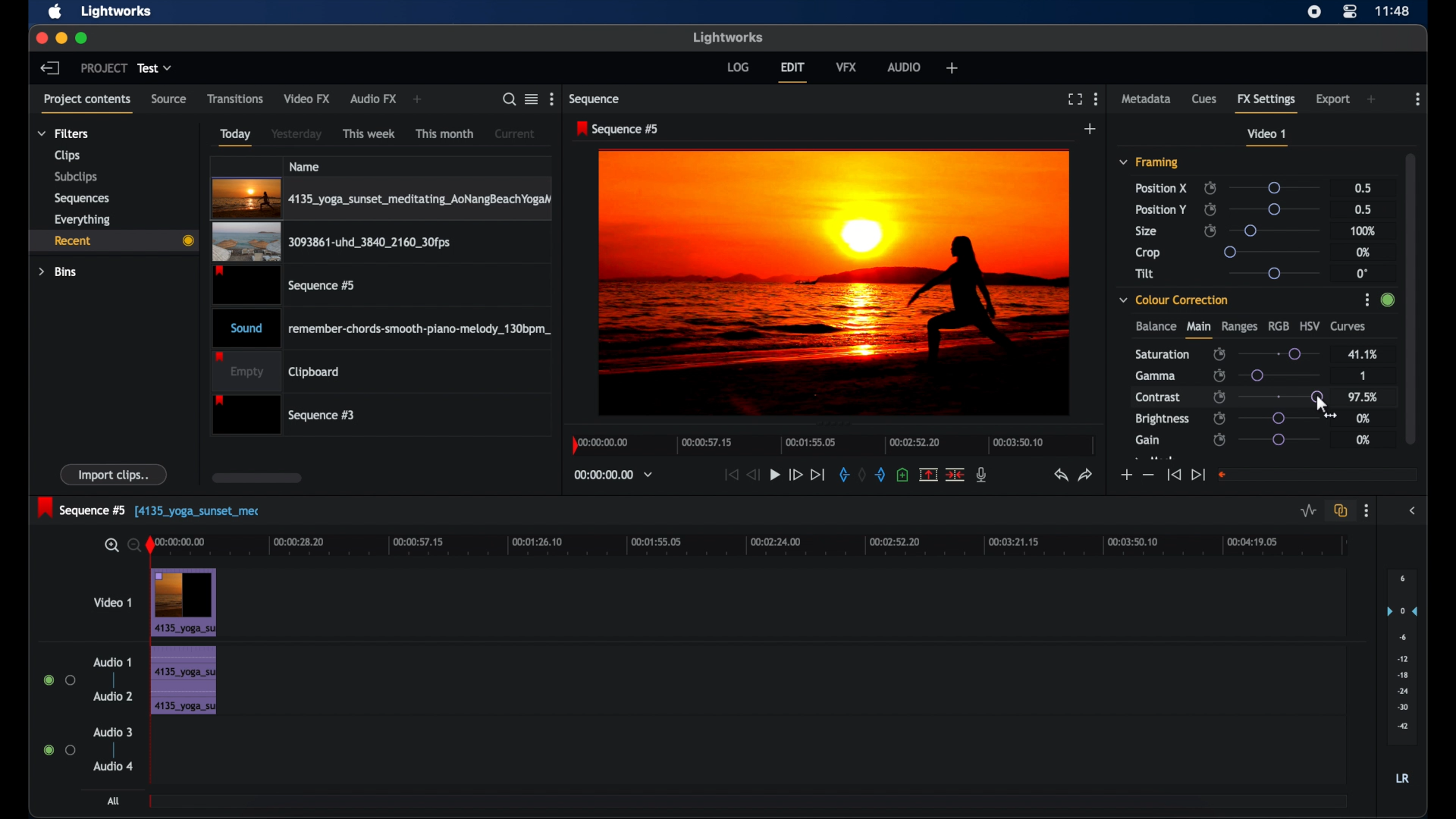 This screenshot has width=1456, height=819. Describe the element at coordinates (1161, 187) in the screenshot. I see `position x` at that location.